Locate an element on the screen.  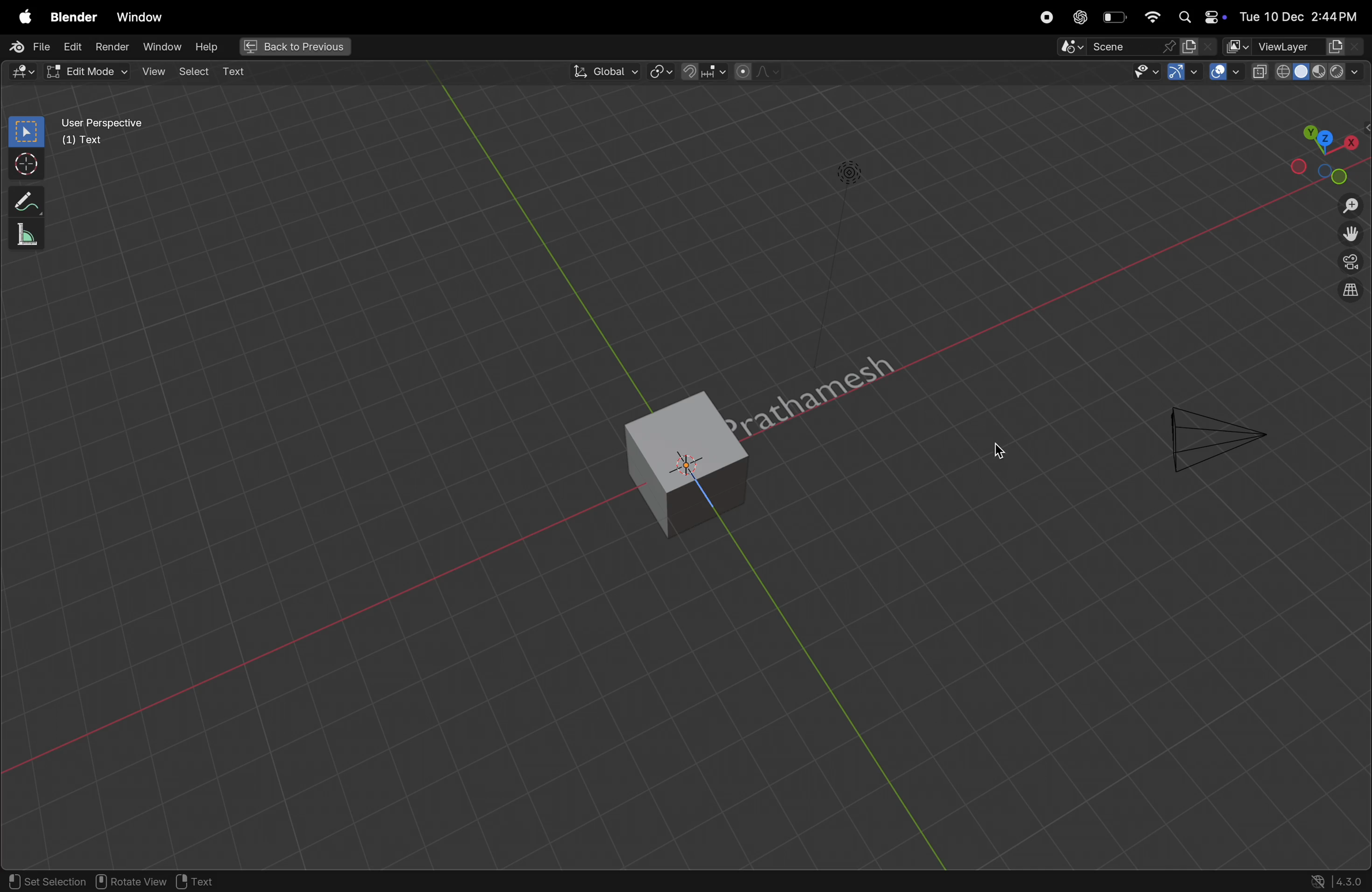
chatgpt is located at coordinates (1077, 17).